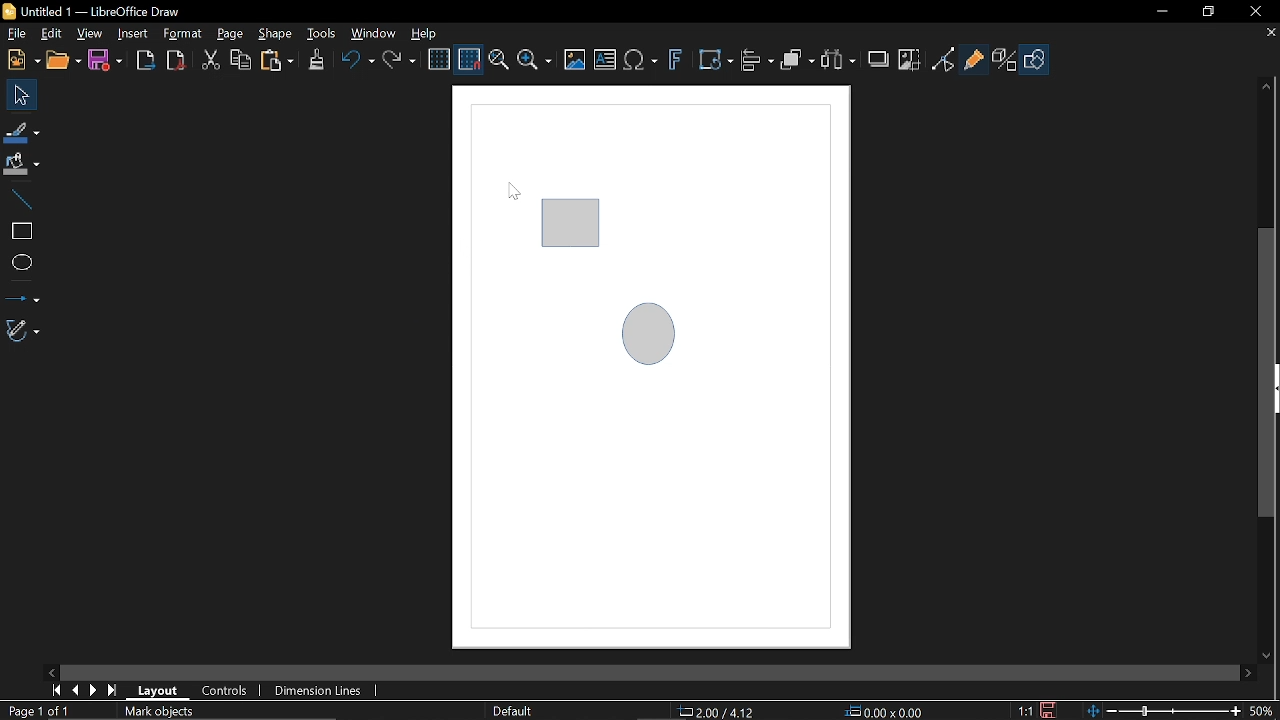  What do you see at coordinates (799, 61) in the screenshot?
I see `Arrange` at bounding box center [799, 61].